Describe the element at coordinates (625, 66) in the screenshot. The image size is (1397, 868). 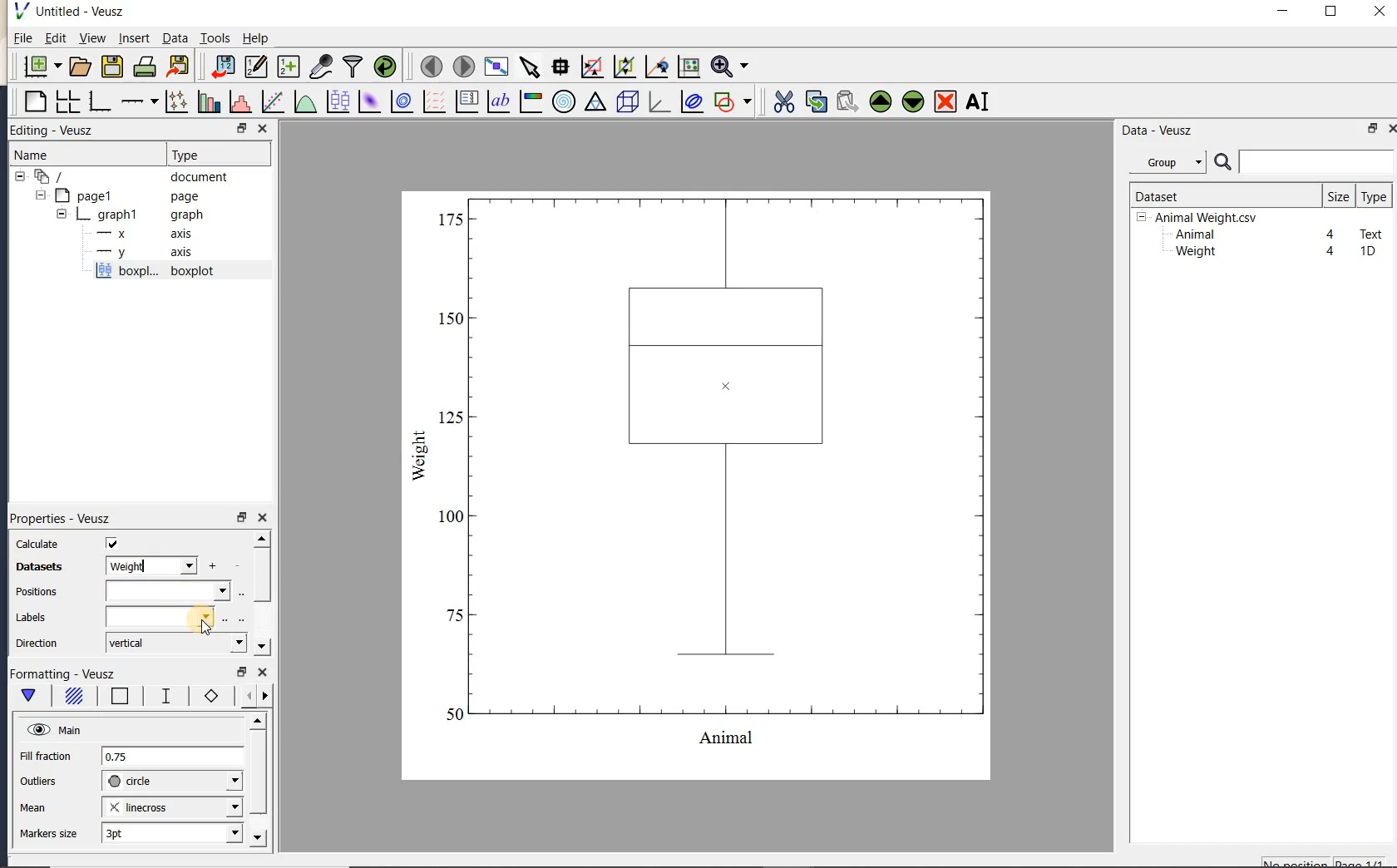
I see `click to zoom out of graph axes` at that location.